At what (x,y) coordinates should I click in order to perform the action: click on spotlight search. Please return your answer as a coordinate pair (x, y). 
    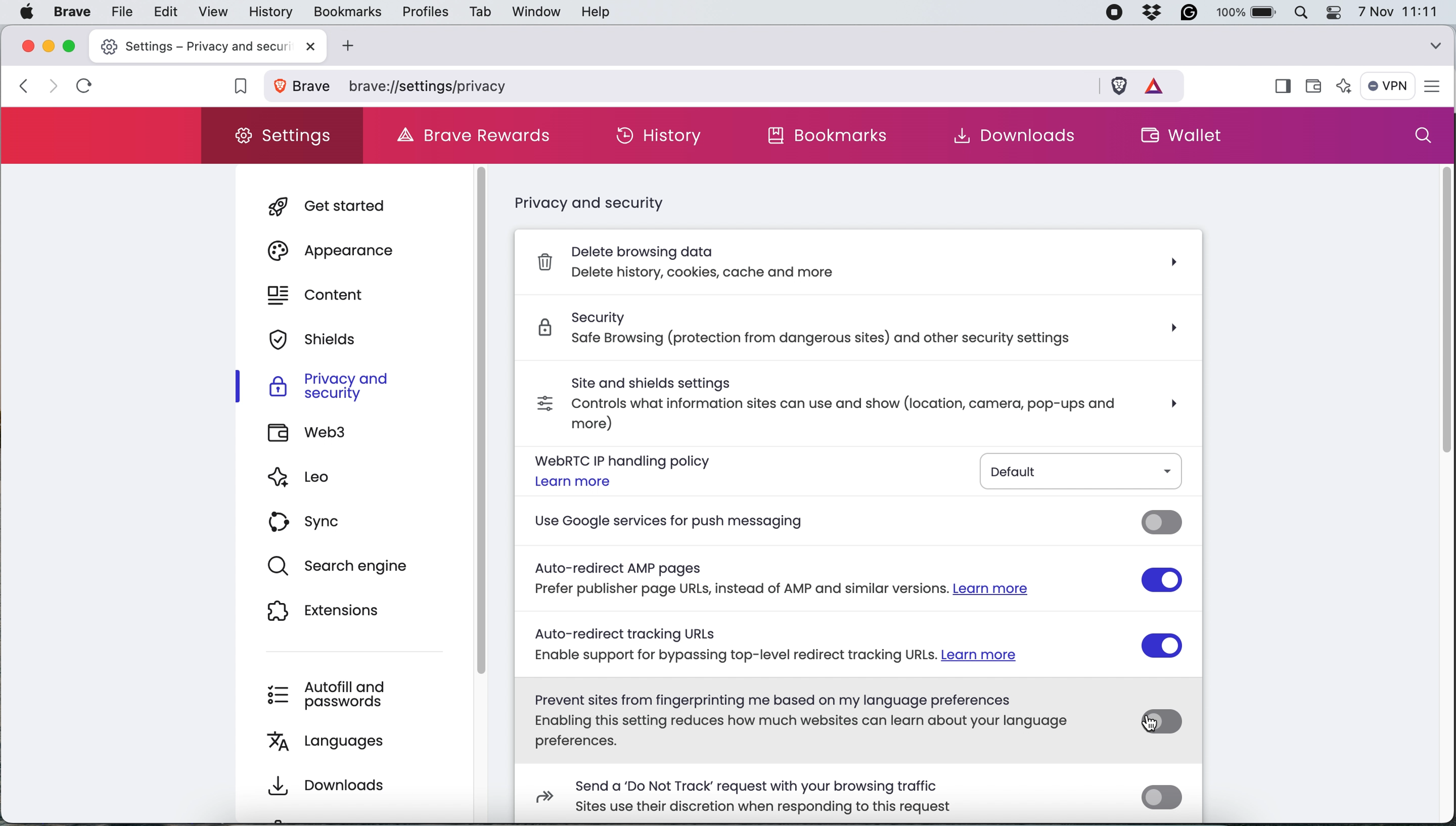
    Looking at the image, I should click on (1306, 12).